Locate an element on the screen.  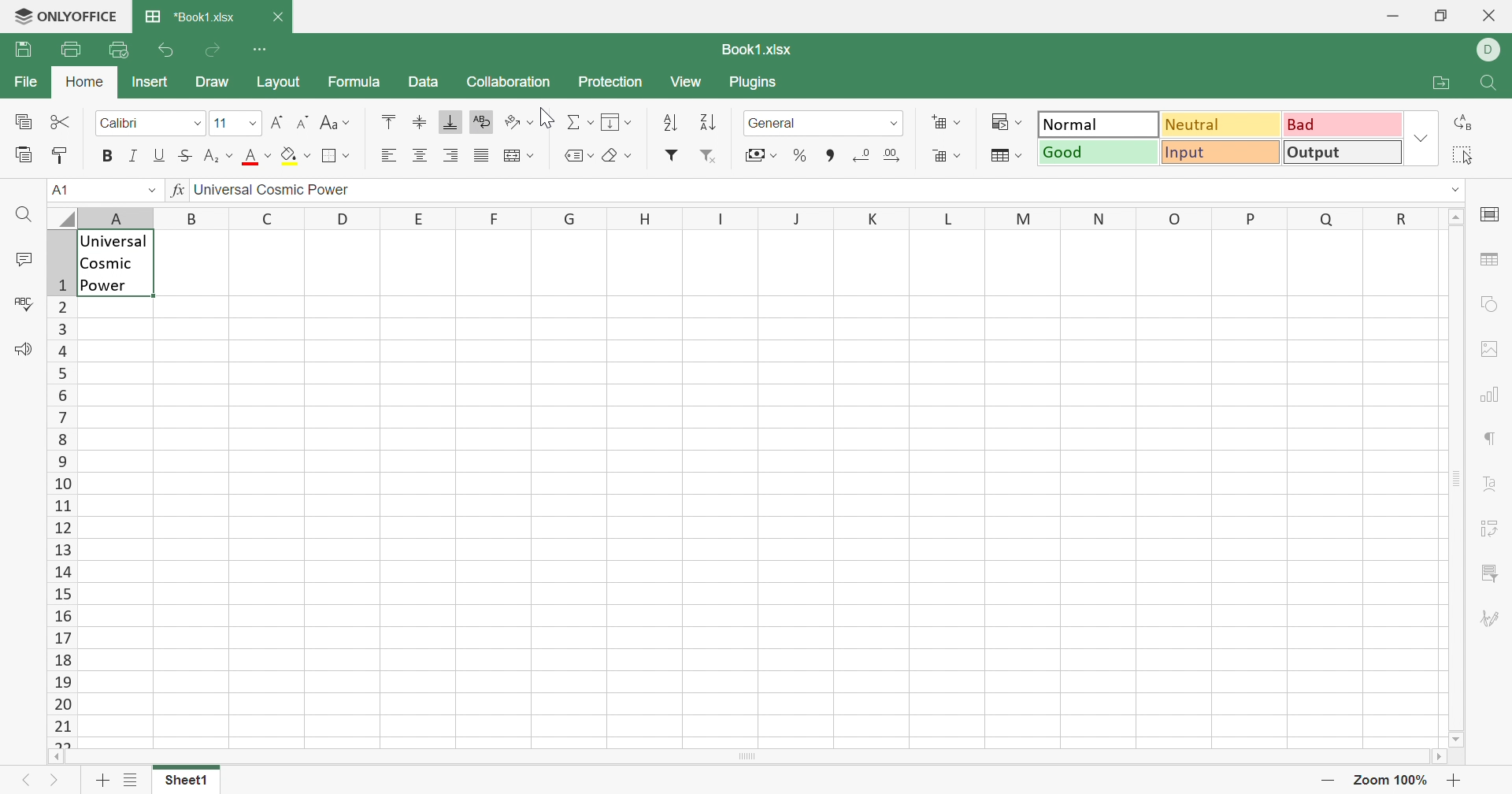
Align Top is located at coordinates (391, 123).